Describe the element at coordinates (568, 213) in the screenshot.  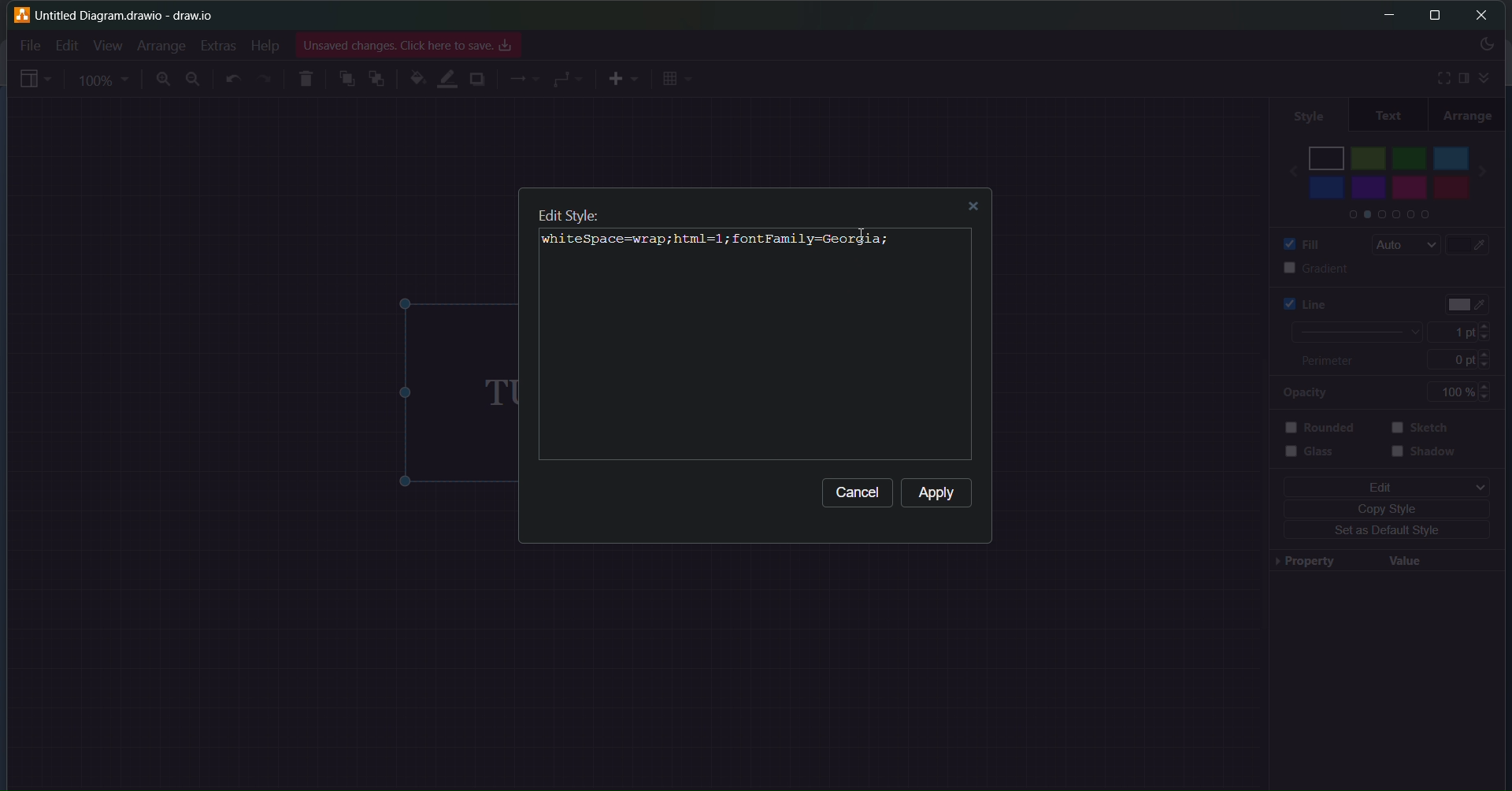
I see `Edit Style:` at that location.